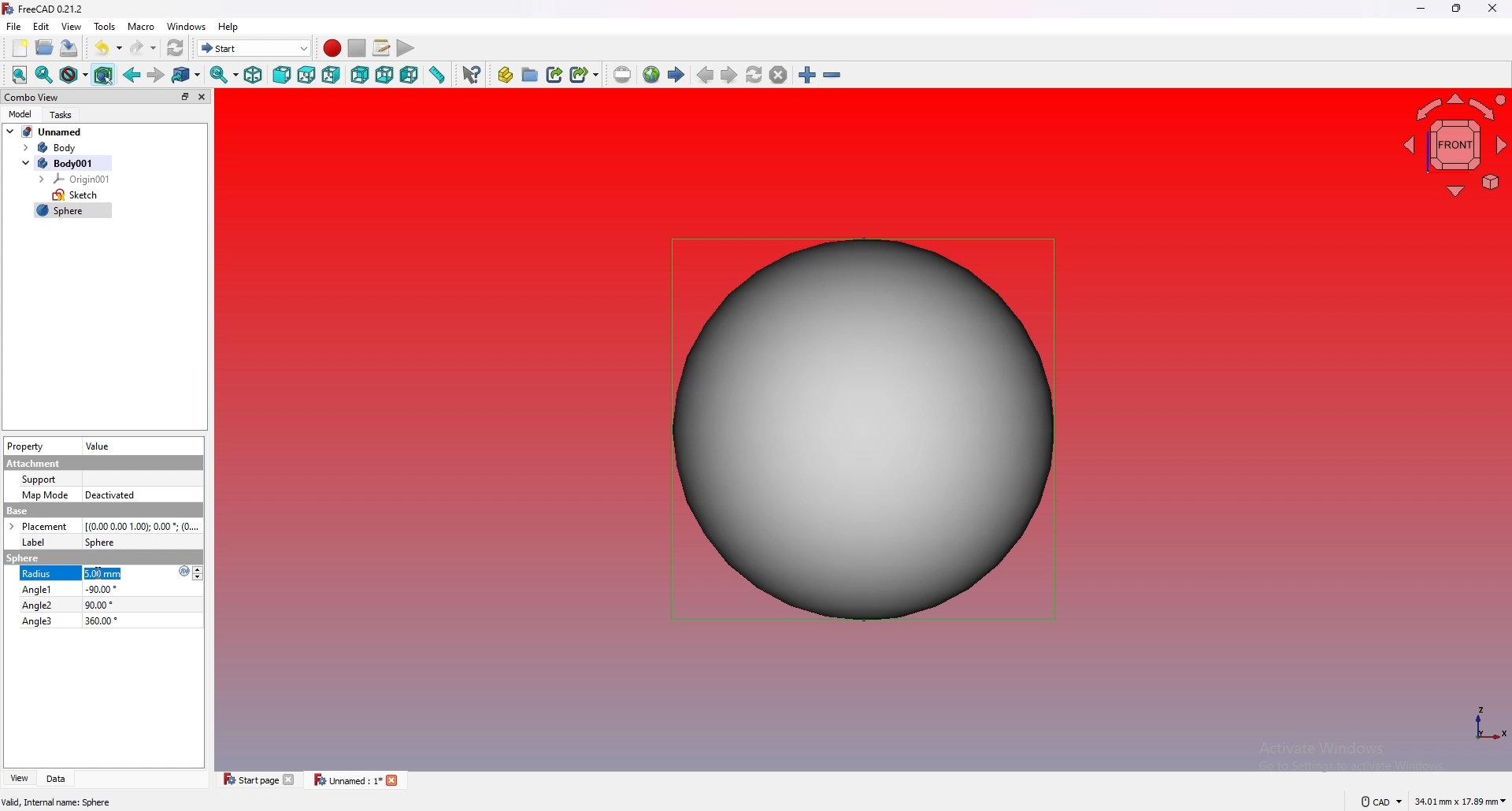 This screenshot has height=811, width=1512. What do you see at coordinates (506, 75) in the screenshot?
I see `create part` at bounding box center [506, 75].